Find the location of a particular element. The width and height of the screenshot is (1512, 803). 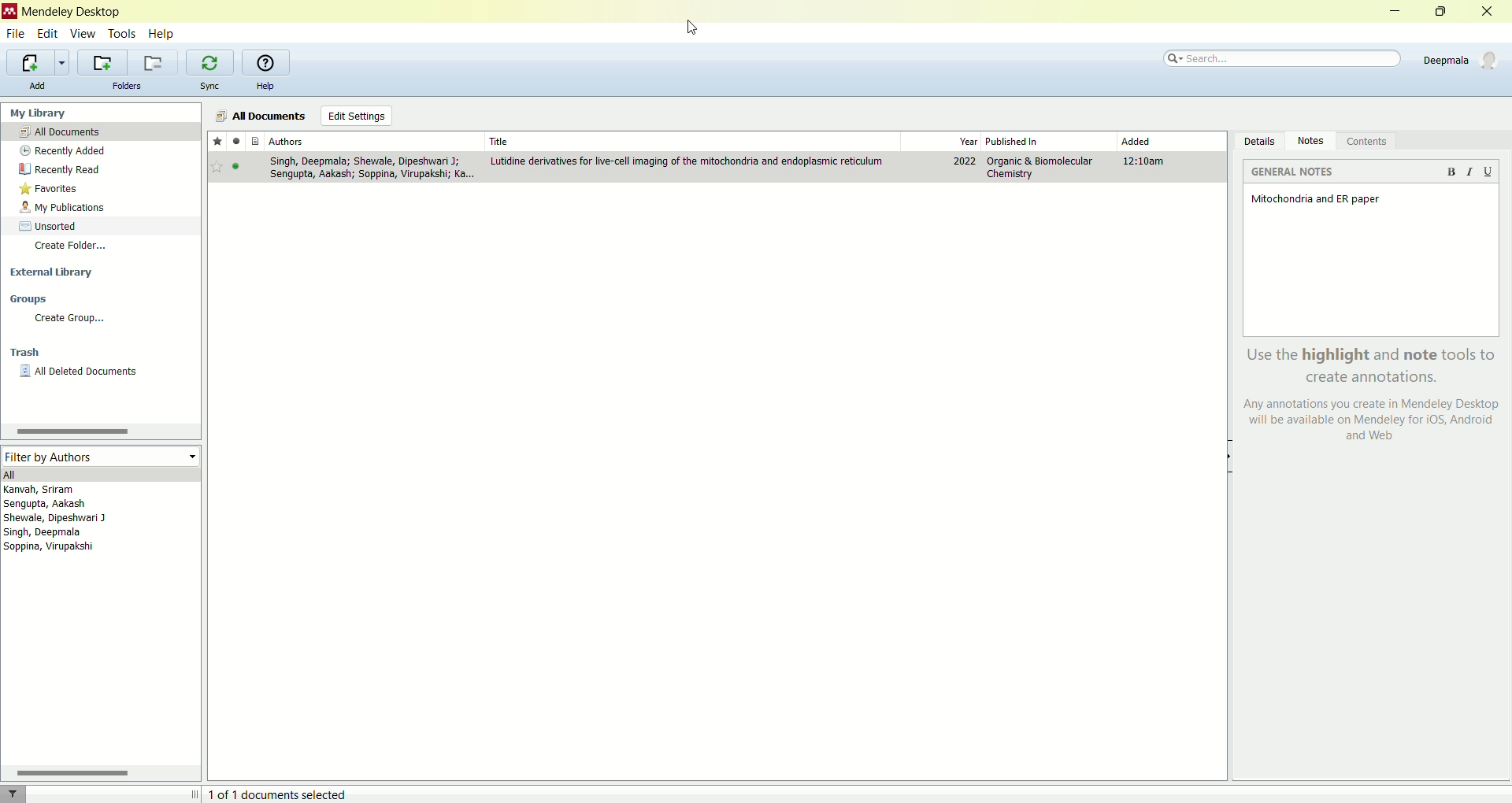

logo is located at coordinates (9, 12).